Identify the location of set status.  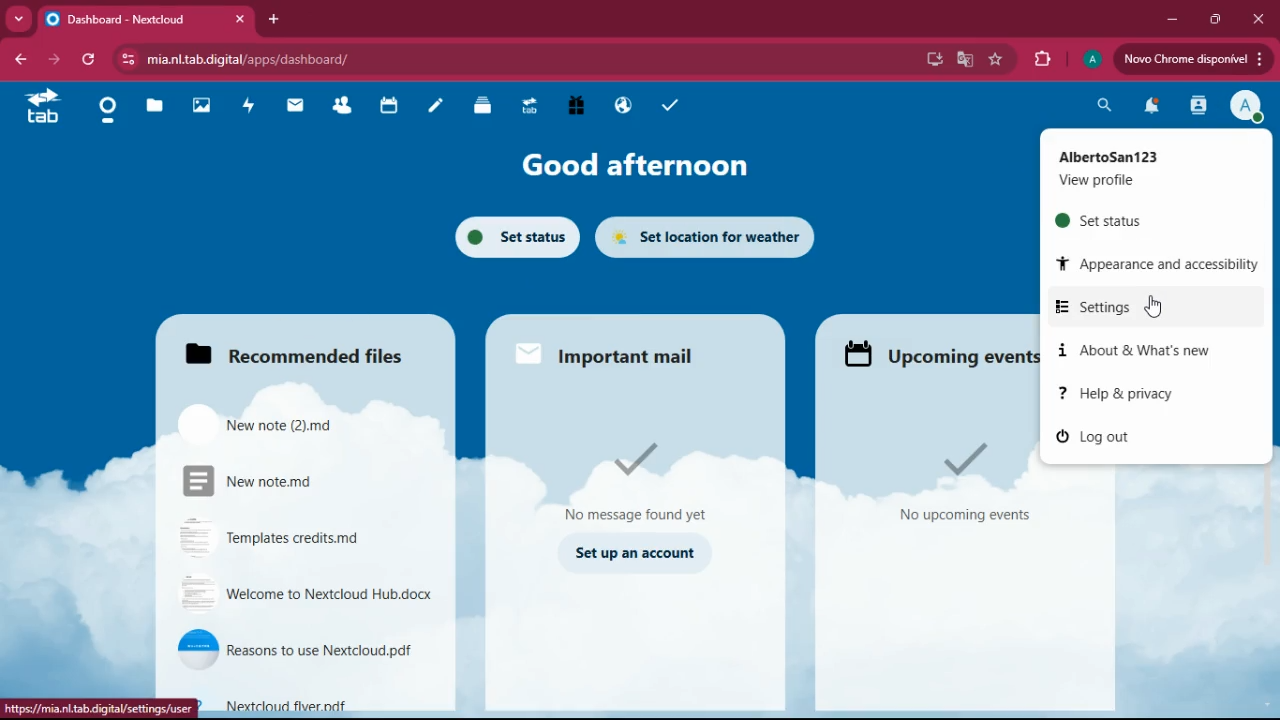
(519, 239).